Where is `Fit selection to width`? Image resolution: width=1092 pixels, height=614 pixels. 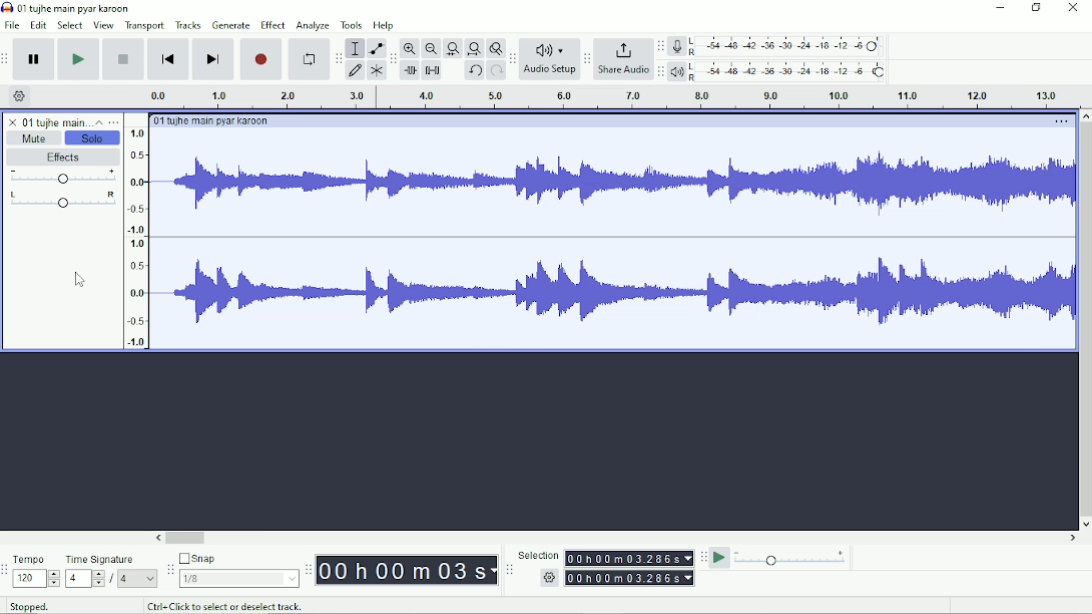 Fit selection to width is located at coordinates (451, 48).